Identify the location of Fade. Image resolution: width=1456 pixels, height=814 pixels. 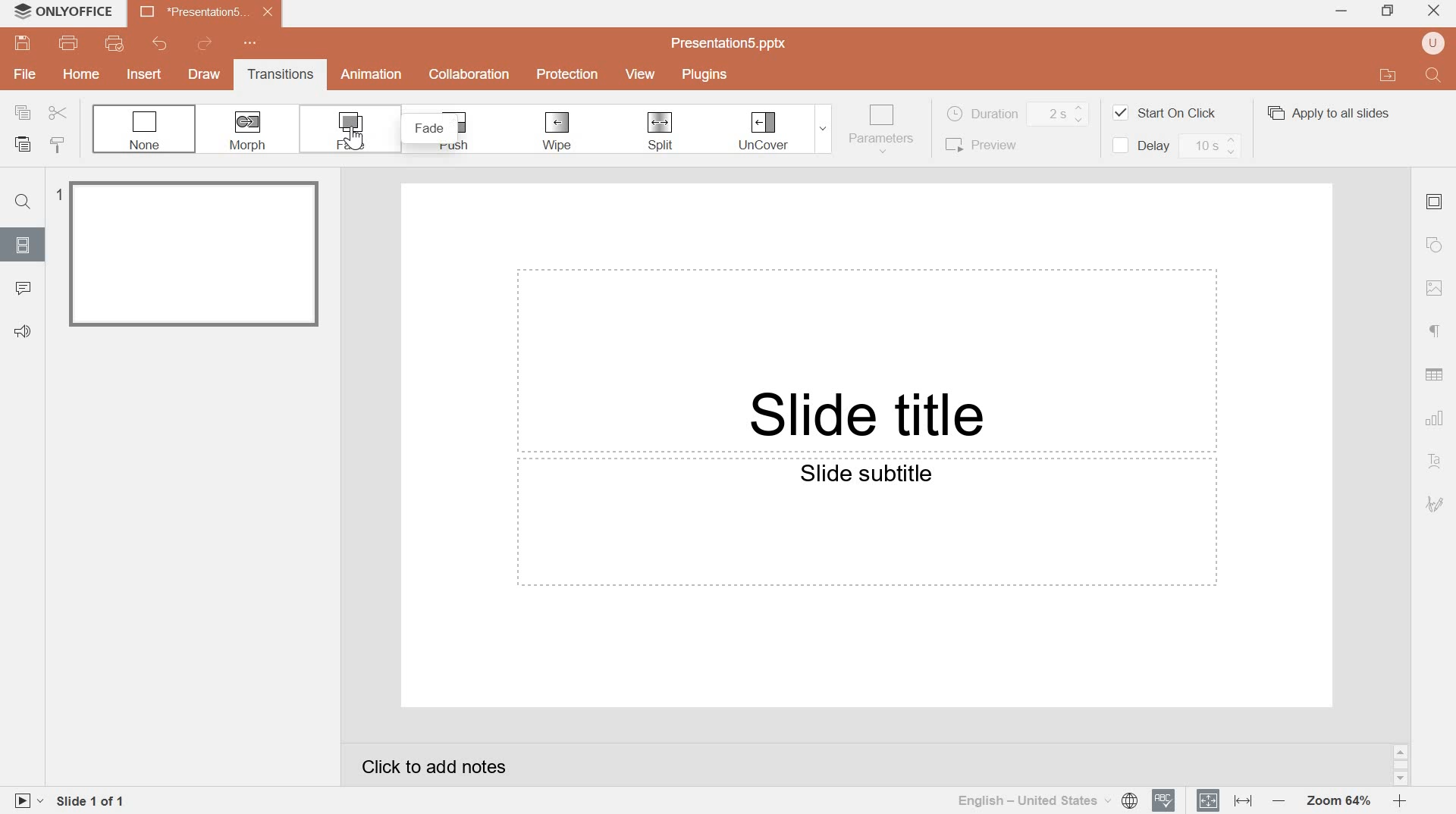
(352, 129).